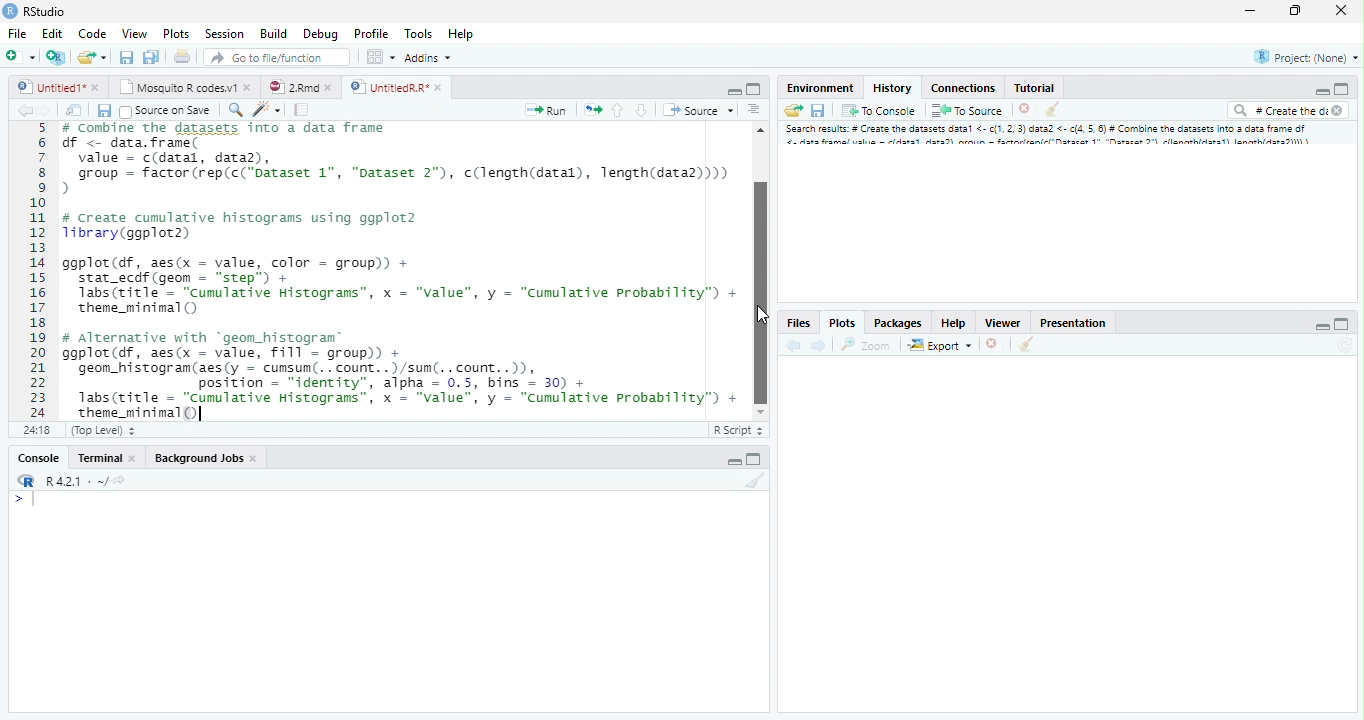 Image resolution: width=1364 pixels, height=720 pixels. What do you see at coordinates (992, 342) in the screenshot?
I see `Delete ` at bounding box center [992, 342].